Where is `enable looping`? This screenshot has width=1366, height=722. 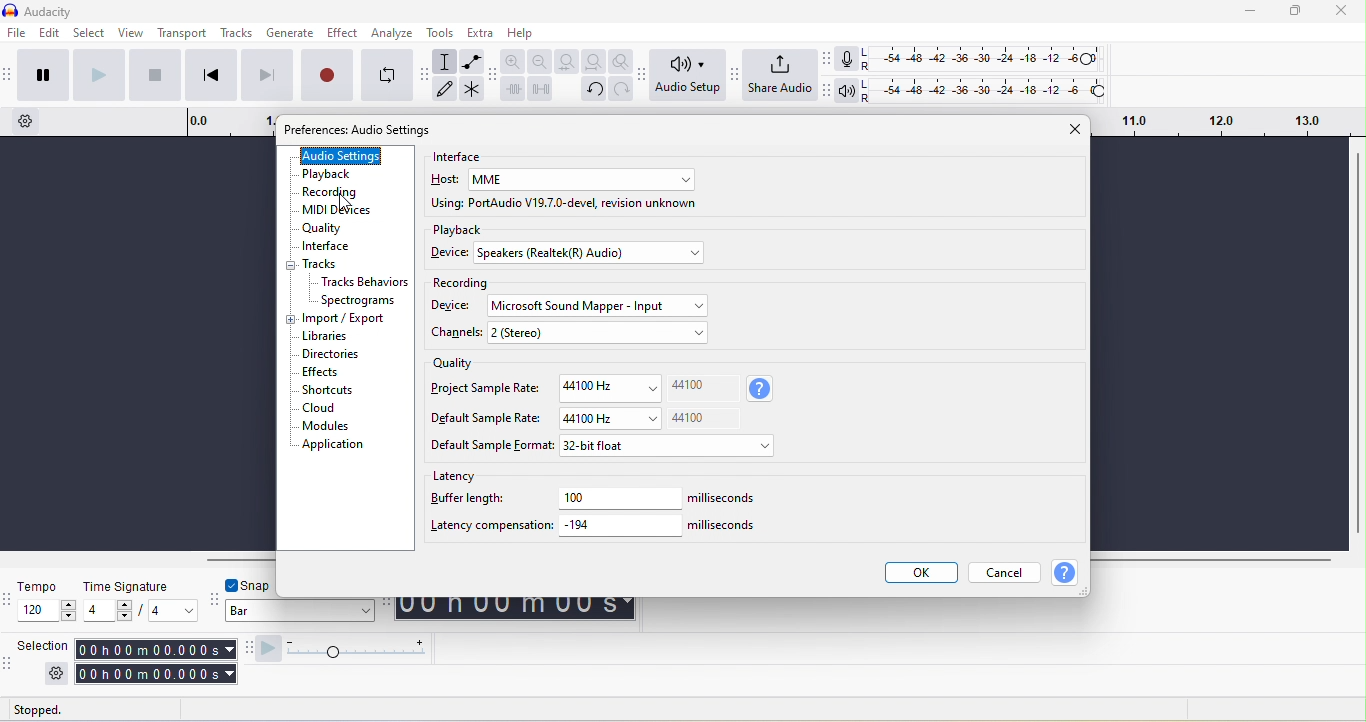 enable looping is located at coordinates (388, 76).